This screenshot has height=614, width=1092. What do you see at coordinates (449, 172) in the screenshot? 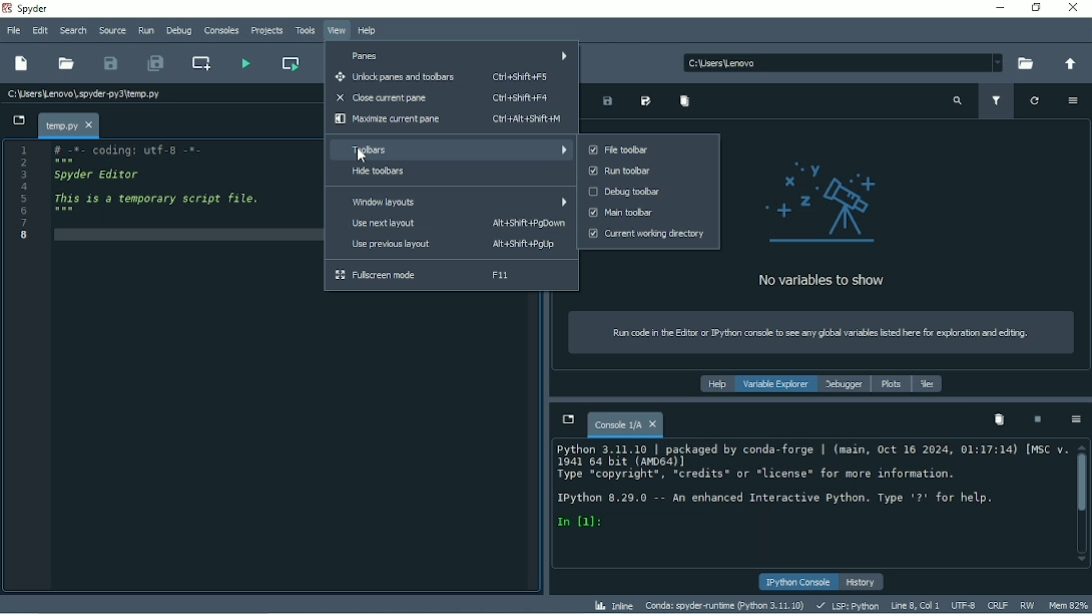
I see `Hide toolbars` at bounding box center [449, 172].